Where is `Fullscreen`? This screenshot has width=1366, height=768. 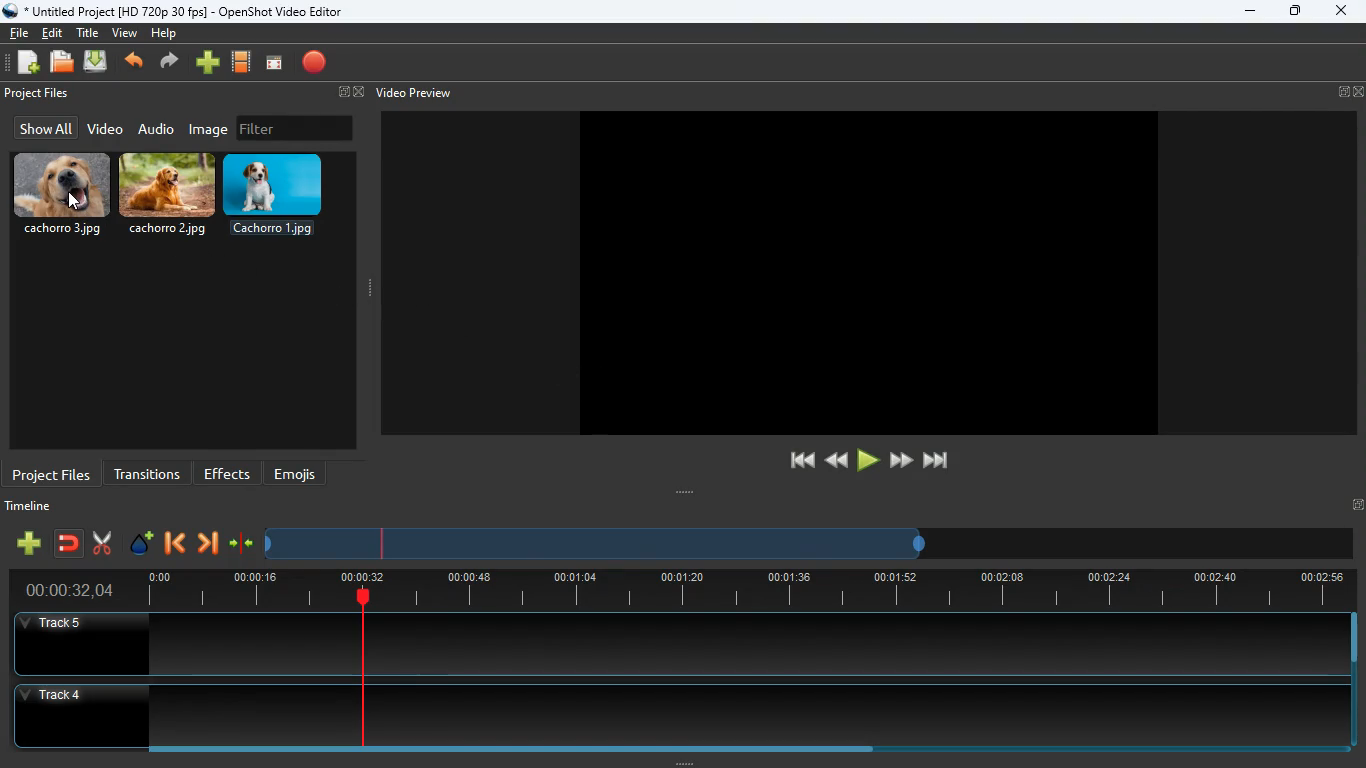 Fullscreen is located at coordinates (1357, 504).